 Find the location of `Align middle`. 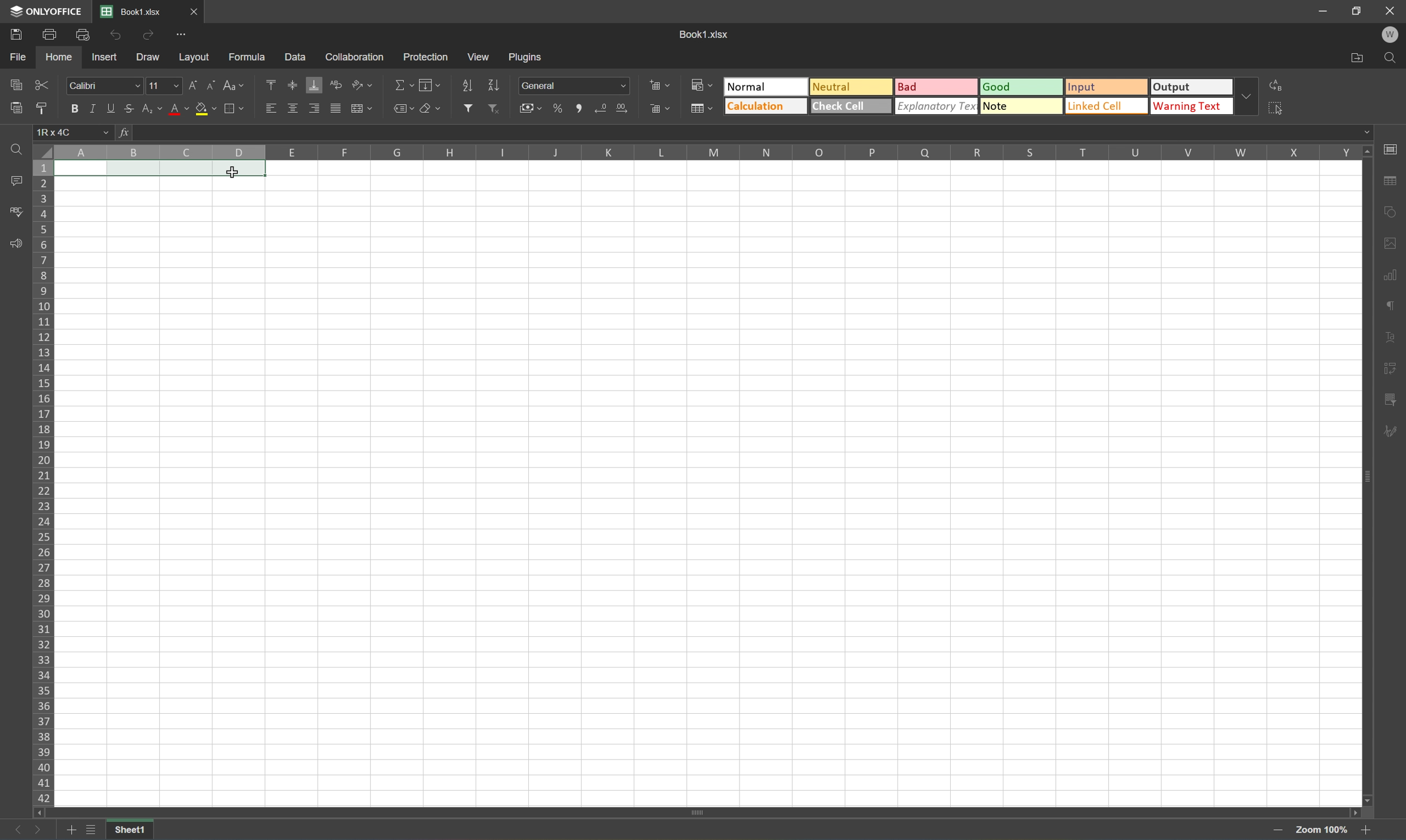

Align middle is located at coordinates (293, 110).